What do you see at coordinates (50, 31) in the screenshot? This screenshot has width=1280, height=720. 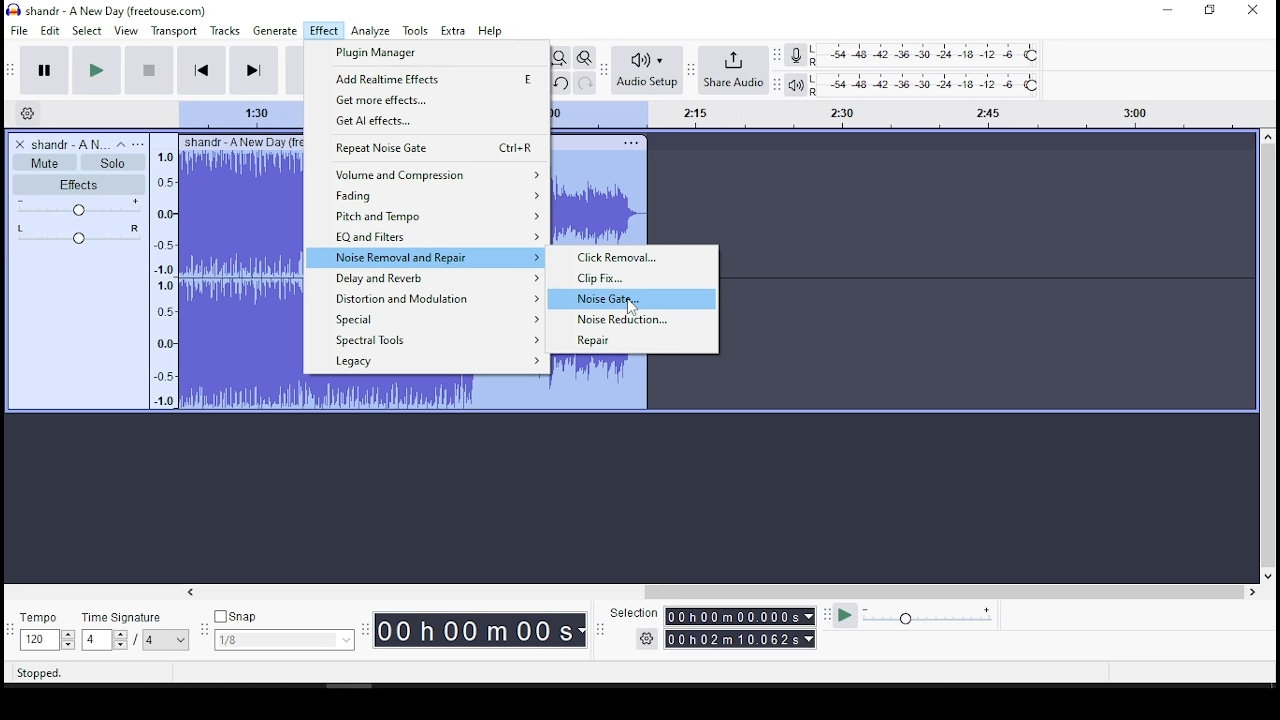 I see `edit` at bounding box center [50, 31].